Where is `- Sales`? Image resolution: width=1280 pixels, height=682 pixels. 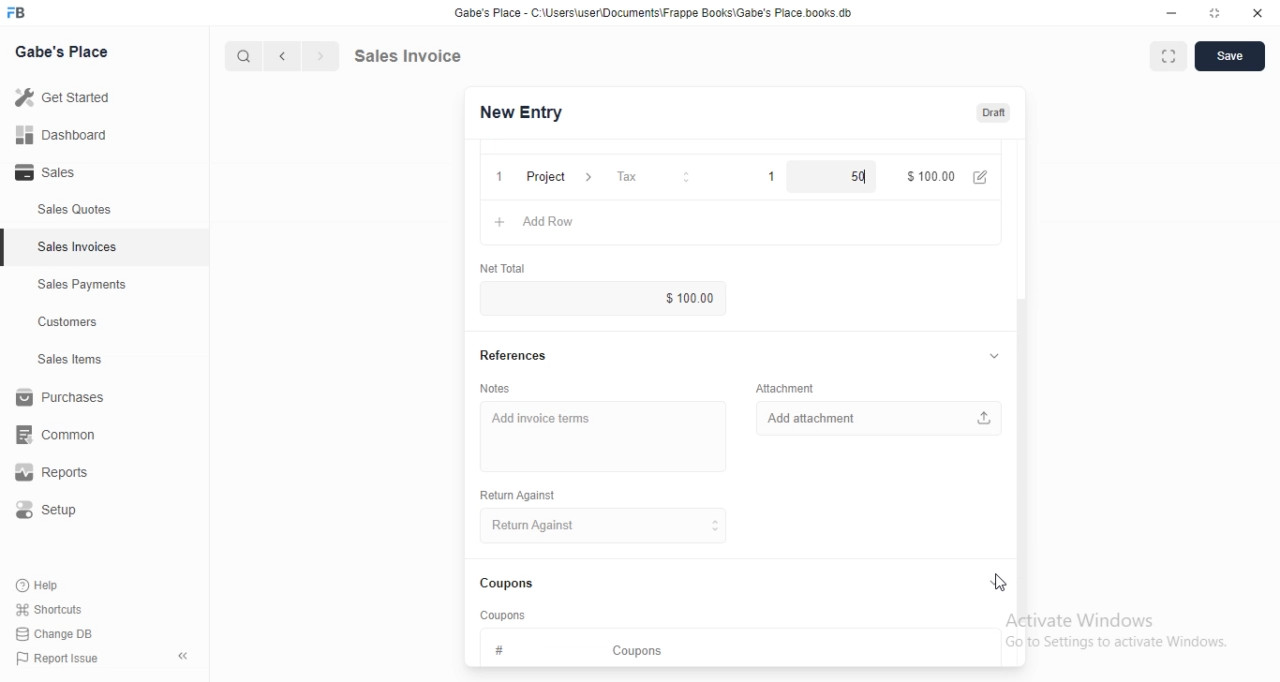 - Sales is located at coordinates (64, 175).